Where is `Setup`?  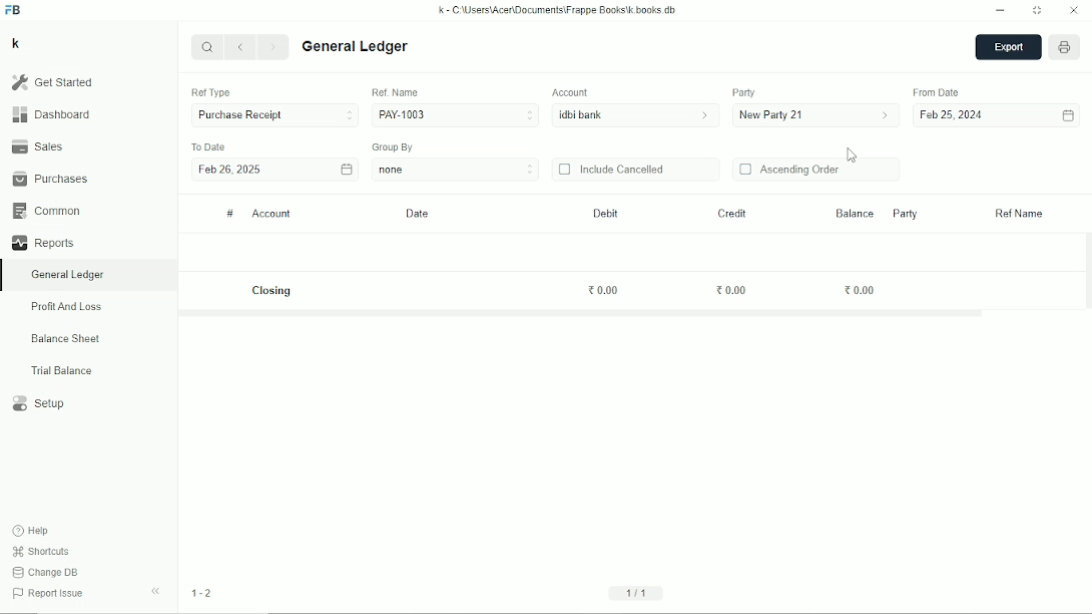 Setup is located at coordinates (40, 404).